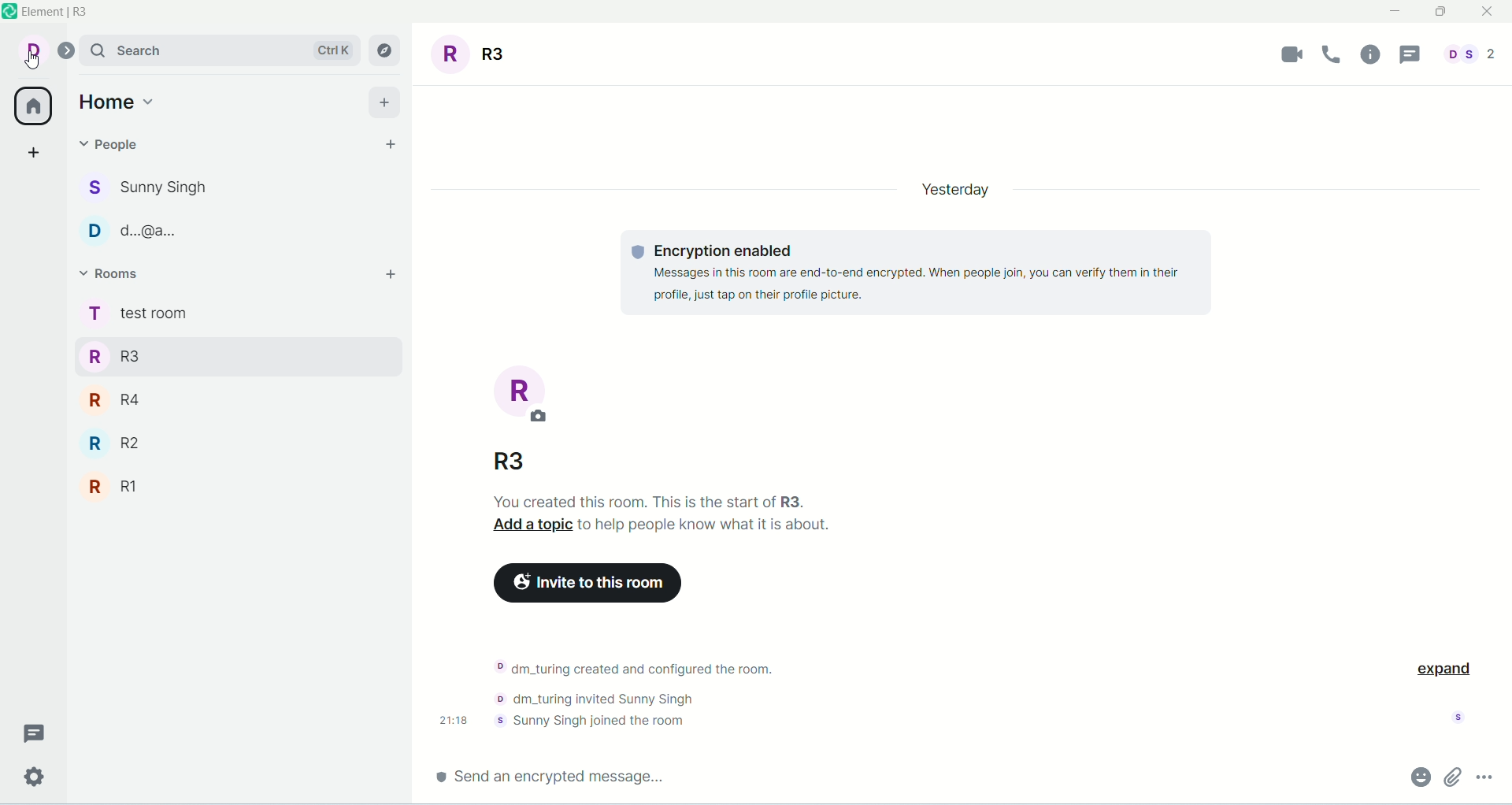 This screenshot has height=805, width=1512. Describe the element at coordinates (384, 101) in the screenshot. I see `add` at that location.